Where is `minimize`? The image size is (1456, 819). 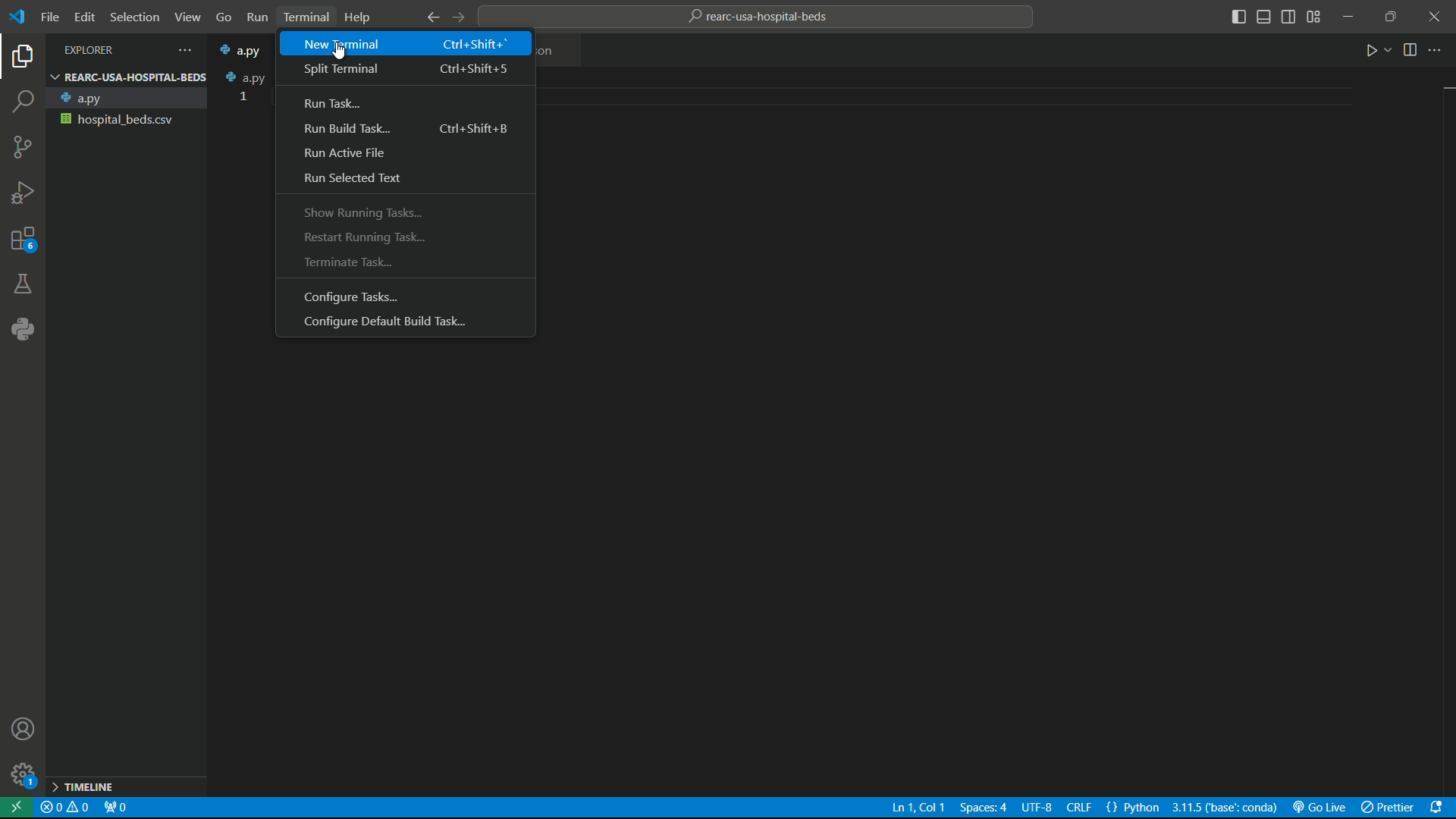 minimize is located at coordinates (1351, 17).